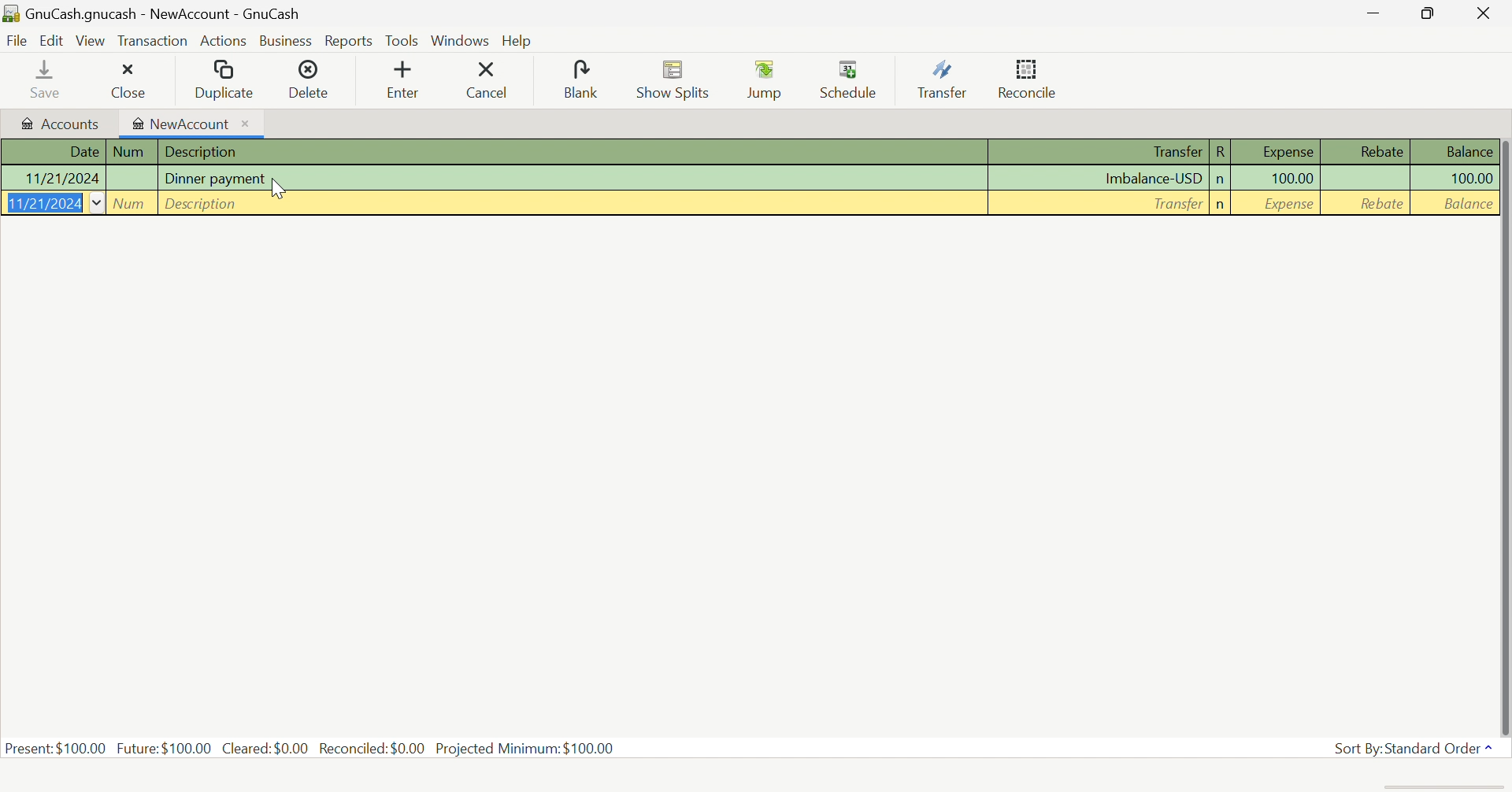  What do you see at coordinates (767, 81) in the screenshot?
I see `Jump` at bounding box center [767, 81].